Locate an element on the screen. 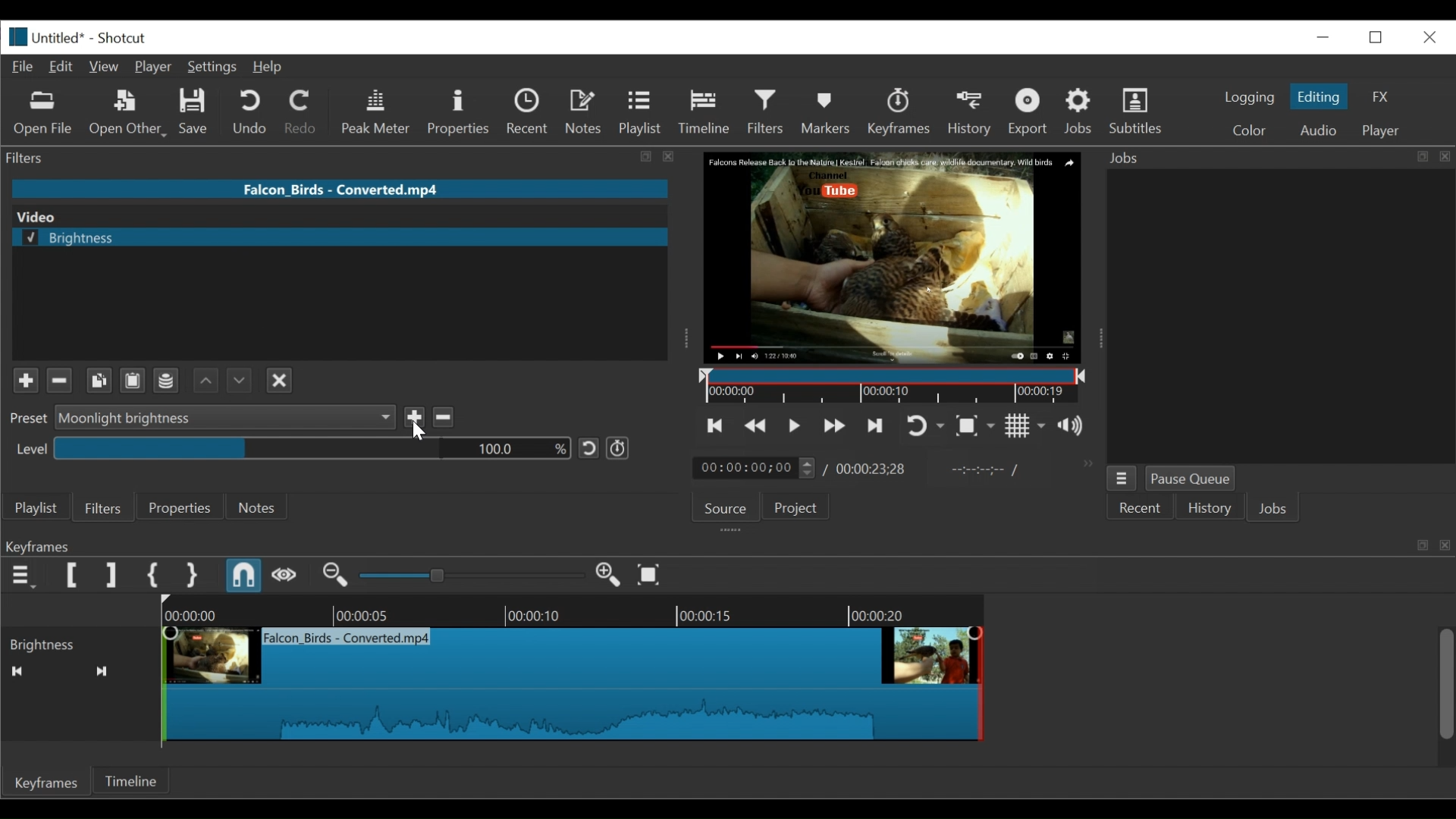 The height and width of the screenshot is (819, 1456). Playlist is located at coordinates (640, 114).